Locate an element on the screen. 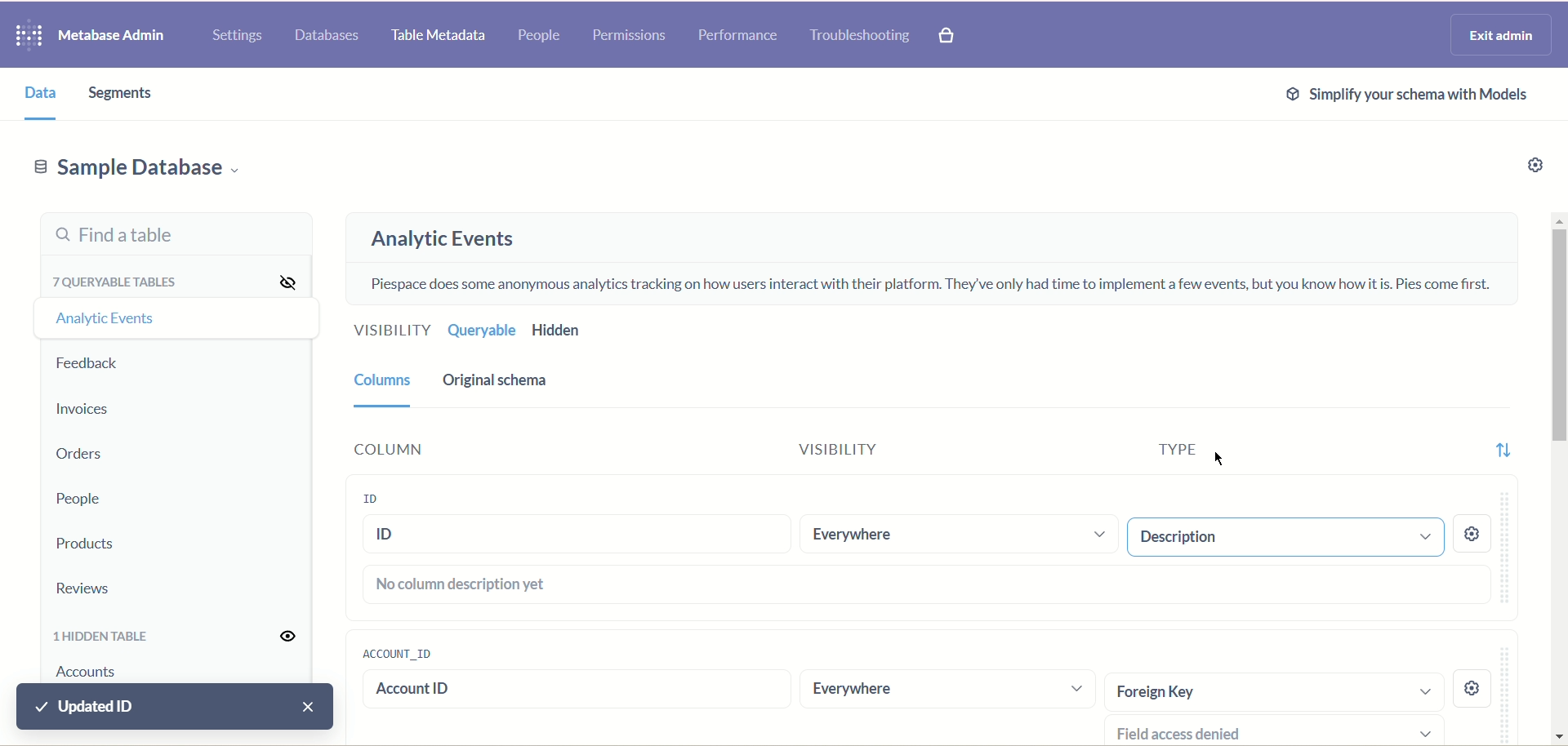  settings is located at coordinates (1522, 169).